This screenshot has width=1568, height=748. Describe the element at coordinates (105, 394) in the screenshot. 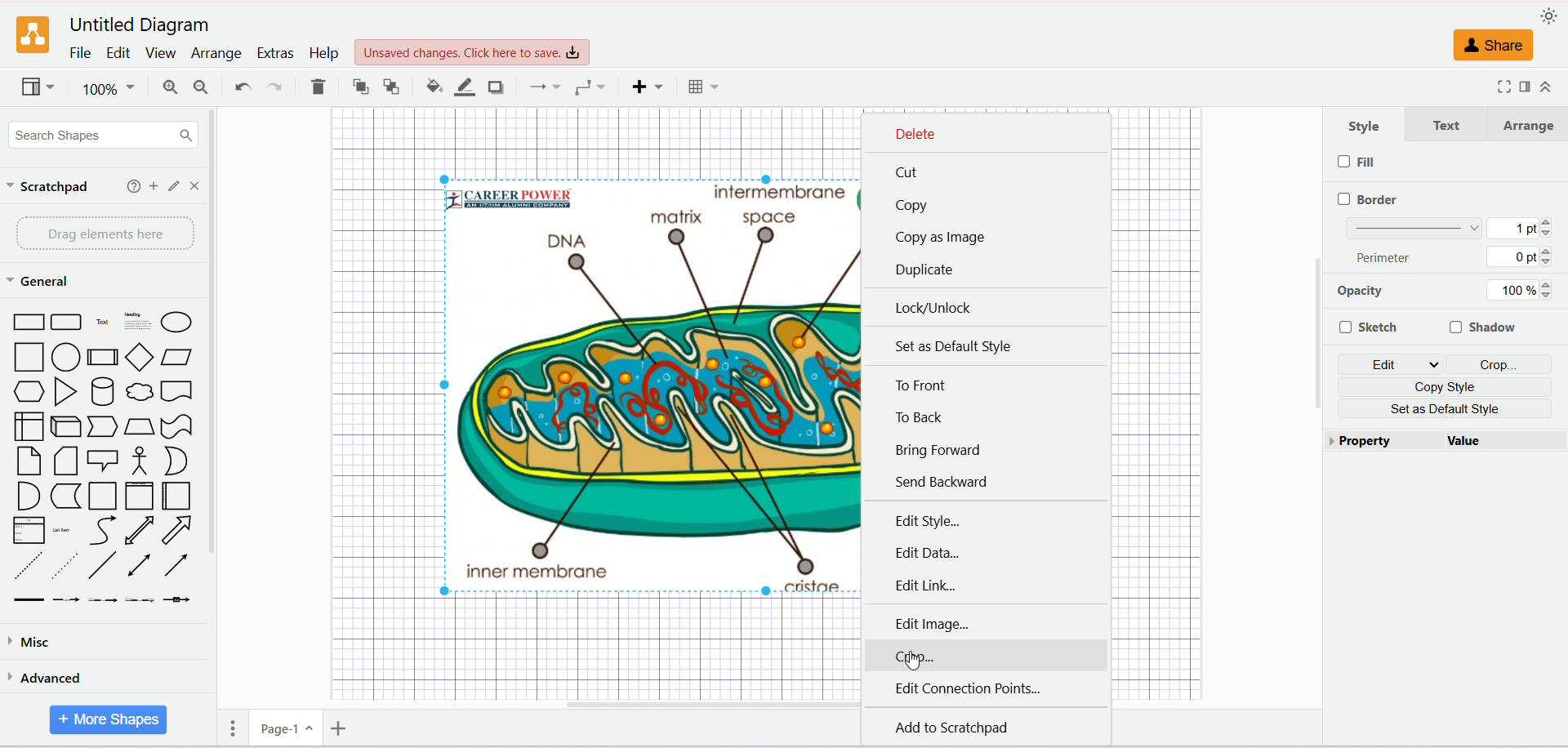

I see `Cylinder` at that location.